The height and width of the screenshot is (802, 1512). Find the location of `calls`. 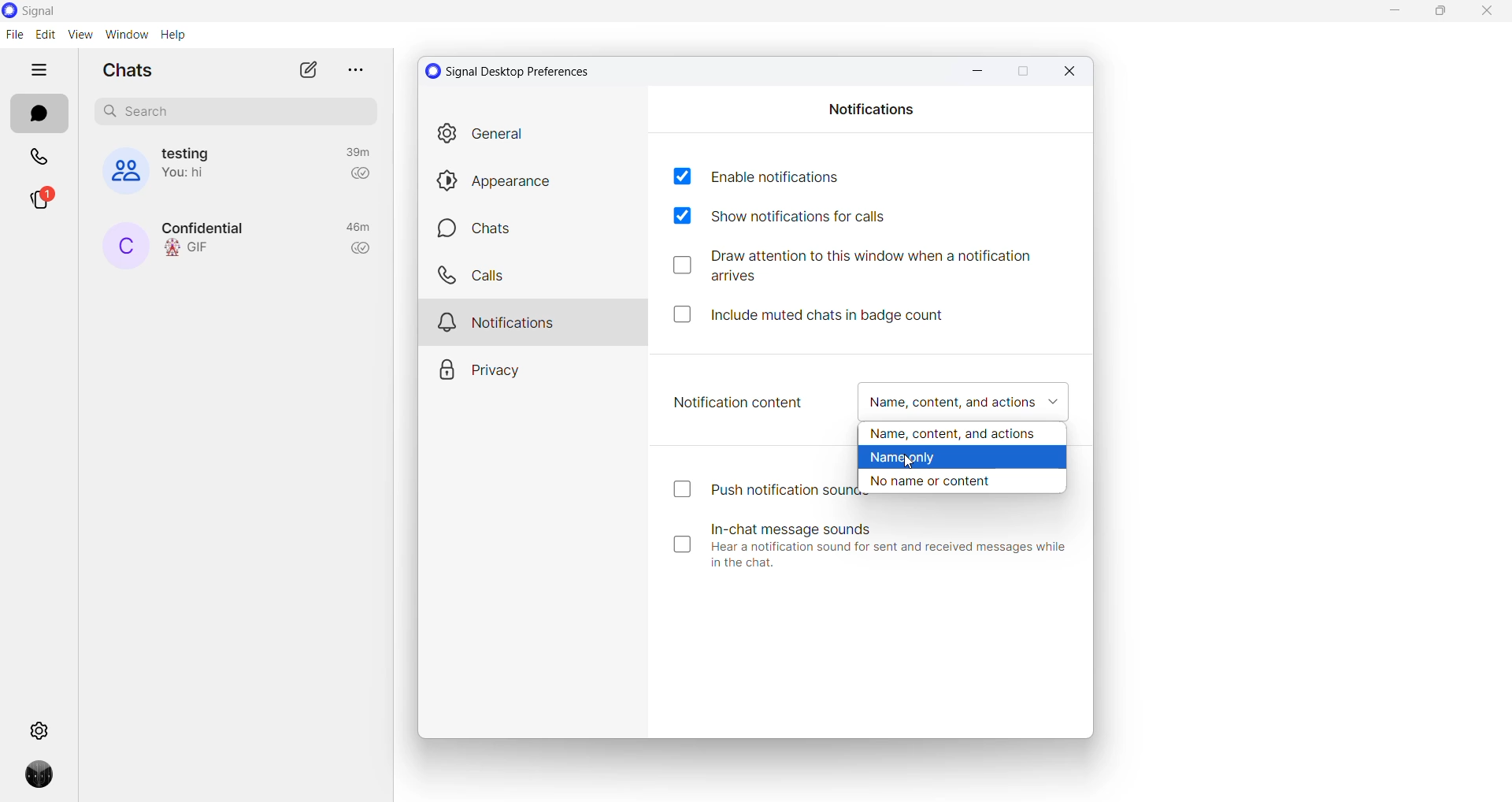

calls is located at coordinates (39, 158).